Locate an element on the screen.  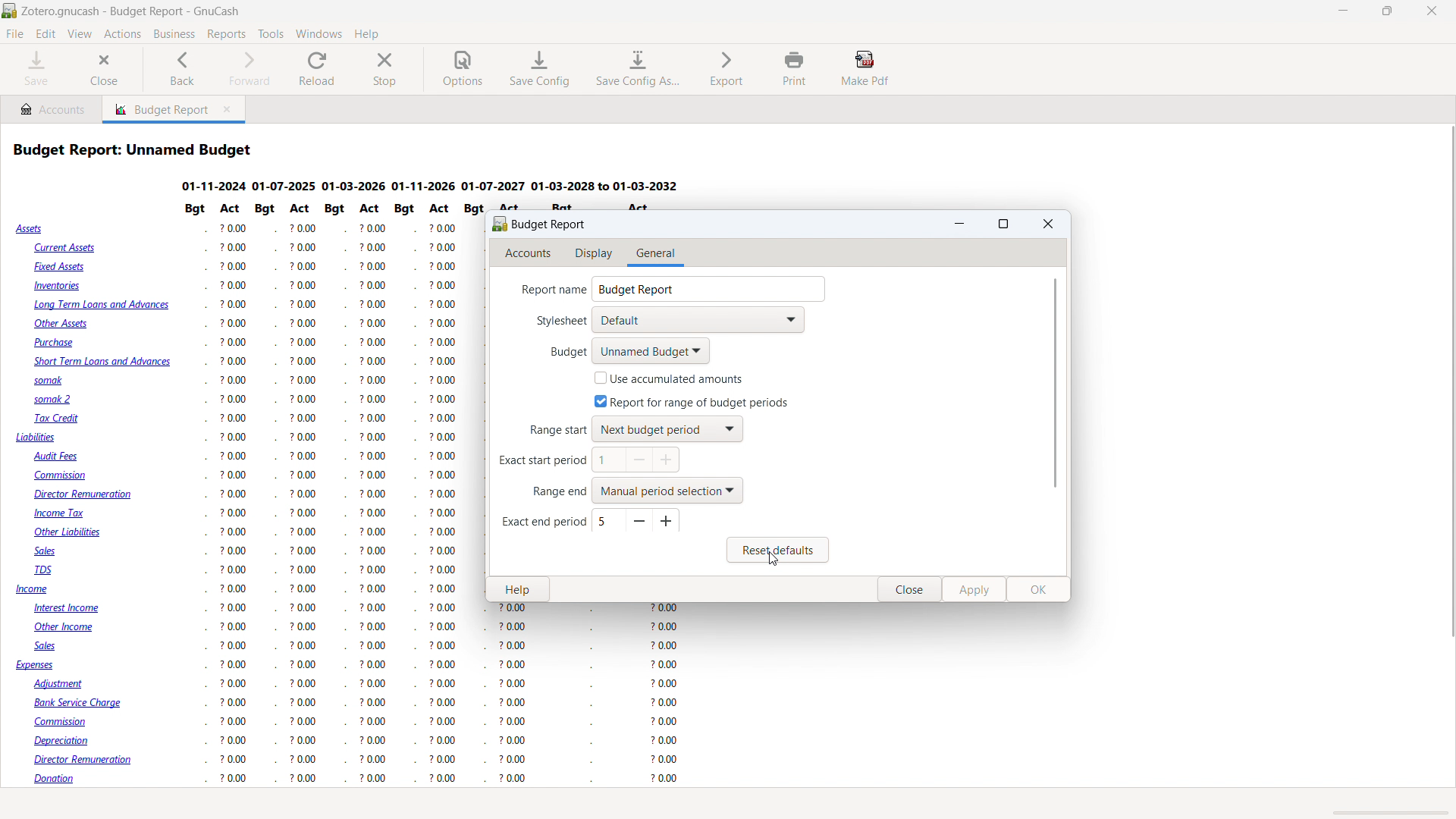
Income is located at coordinates (33, 590).